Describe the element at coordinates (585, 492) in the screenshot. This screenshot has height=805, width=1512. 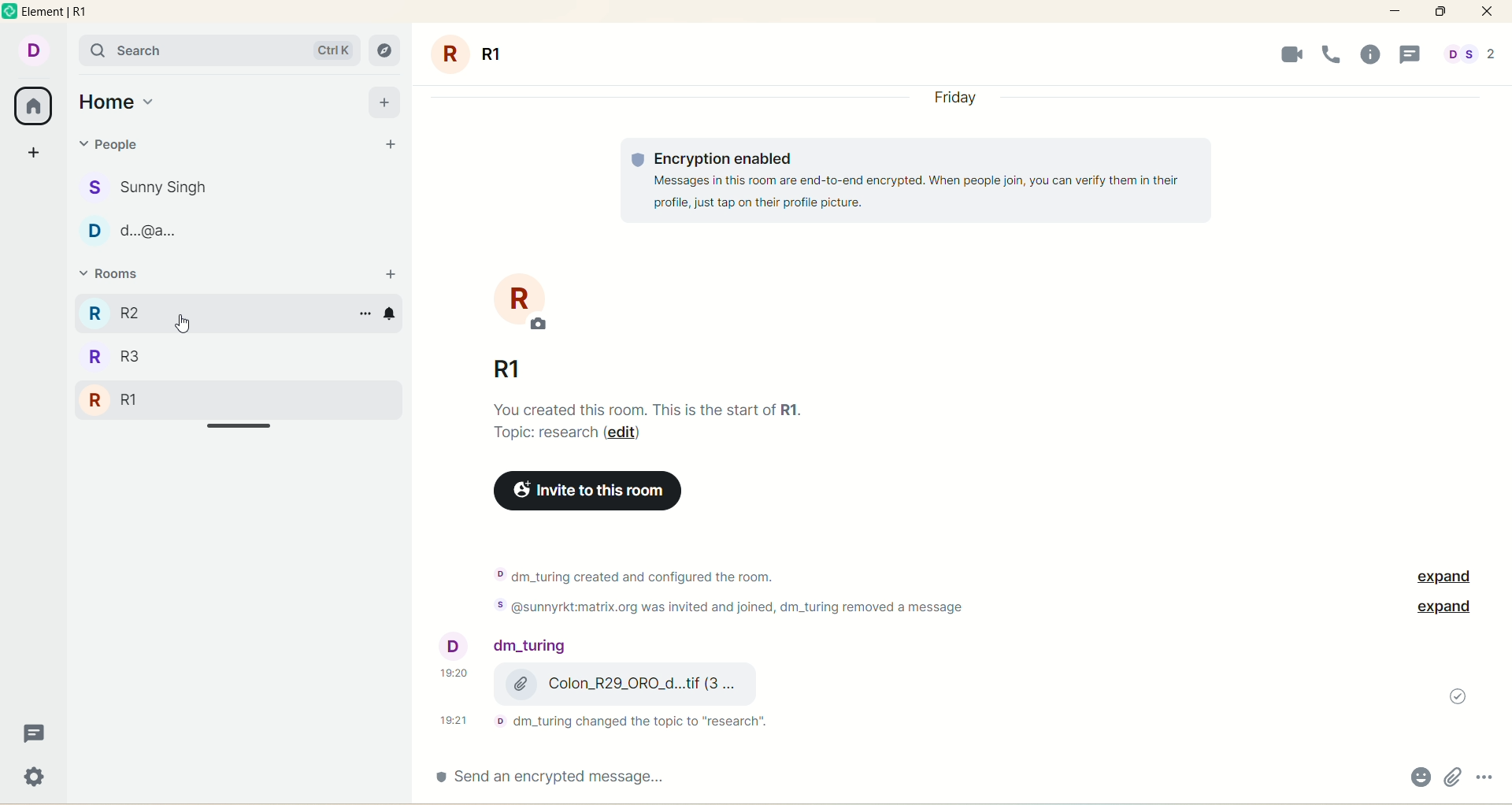
I see `invite to this room` at that location.